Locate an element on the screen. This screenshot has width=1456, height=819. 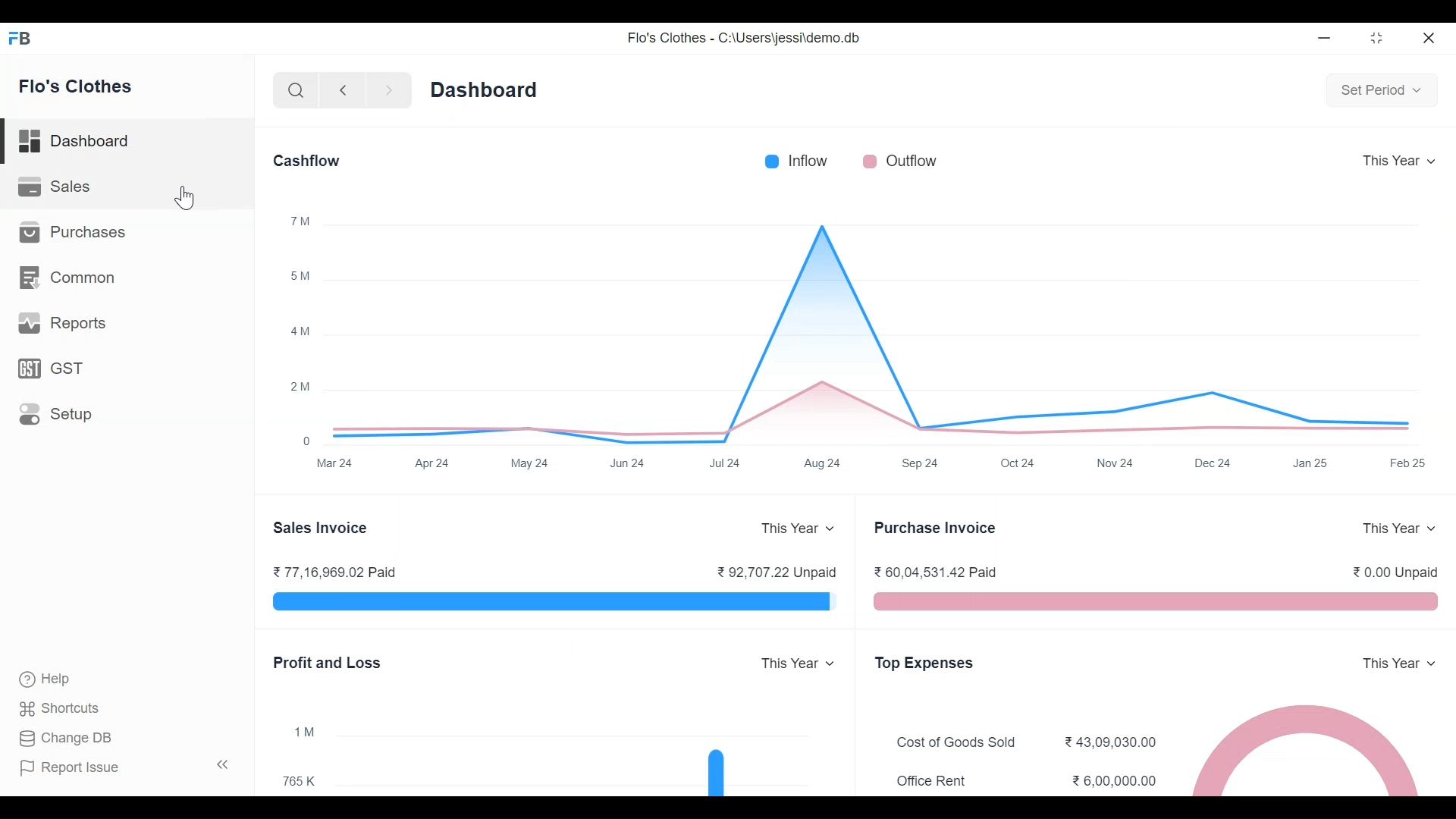
Oct 24 is located at coordinates (1021, 463).